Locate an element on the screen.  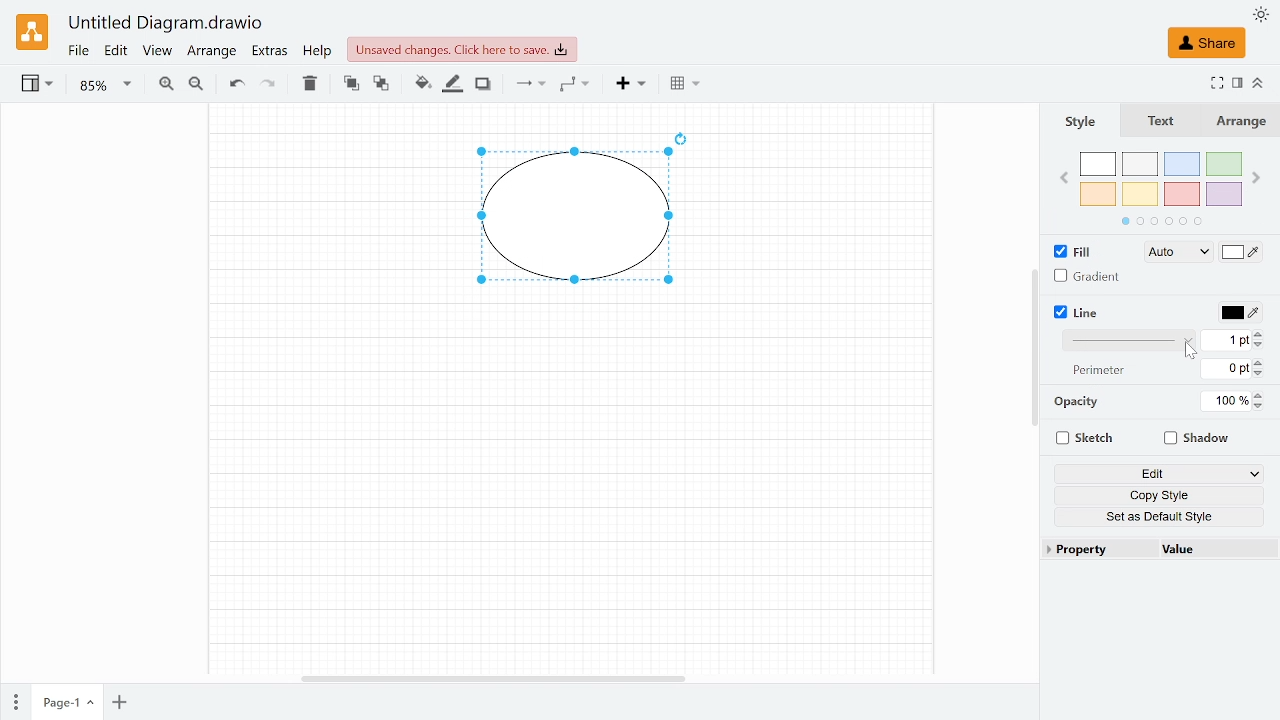
Line is located at coordinates (1090, 313).